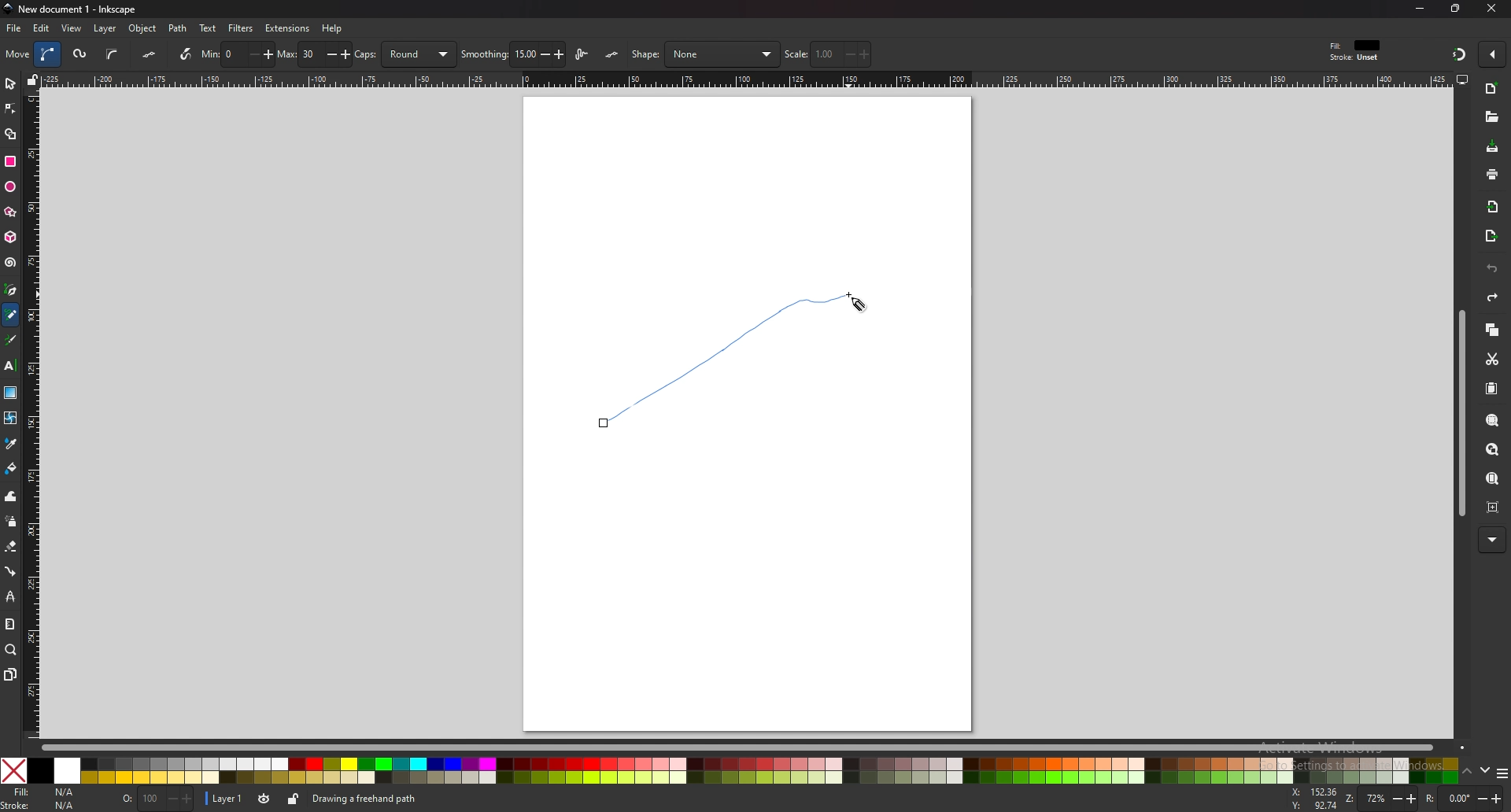 The image size is (1511, 812). Describe the element at coordinates (10, 262) in the screenshot. I see `spiral` at that location.